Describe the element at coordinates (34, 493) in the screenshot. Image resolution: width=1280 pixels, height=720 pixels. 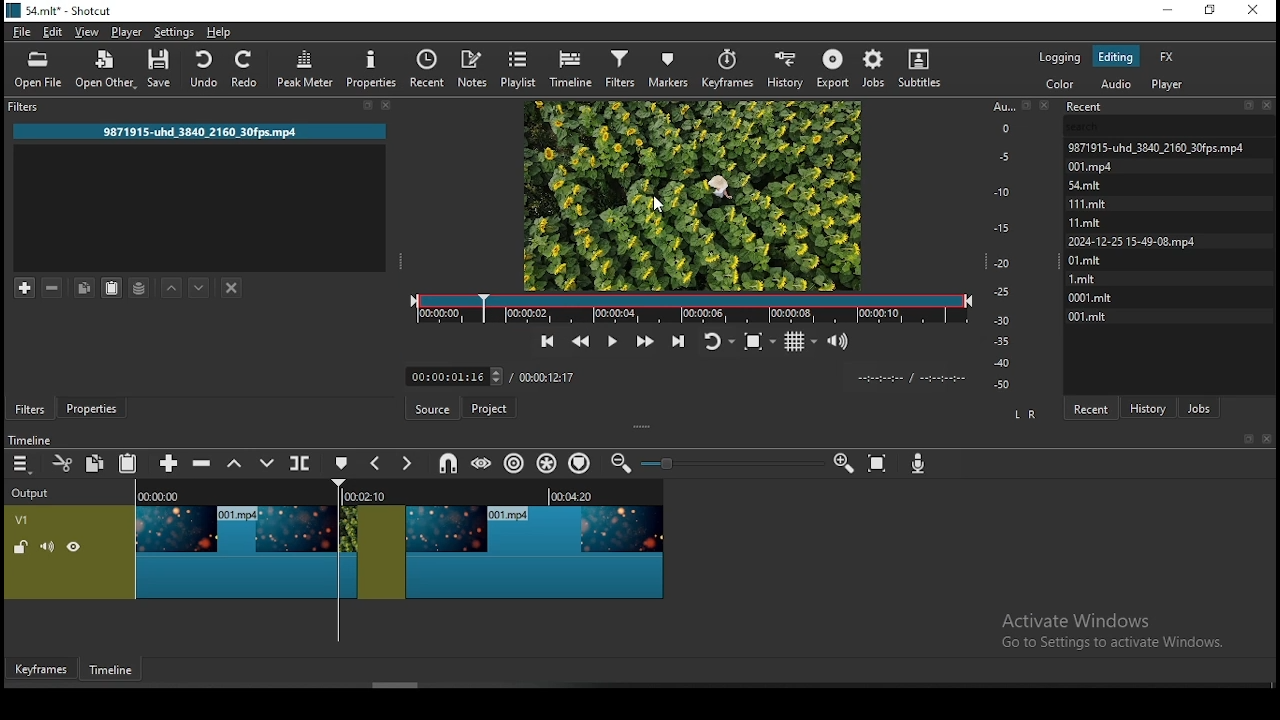
I see `Output` at that location.